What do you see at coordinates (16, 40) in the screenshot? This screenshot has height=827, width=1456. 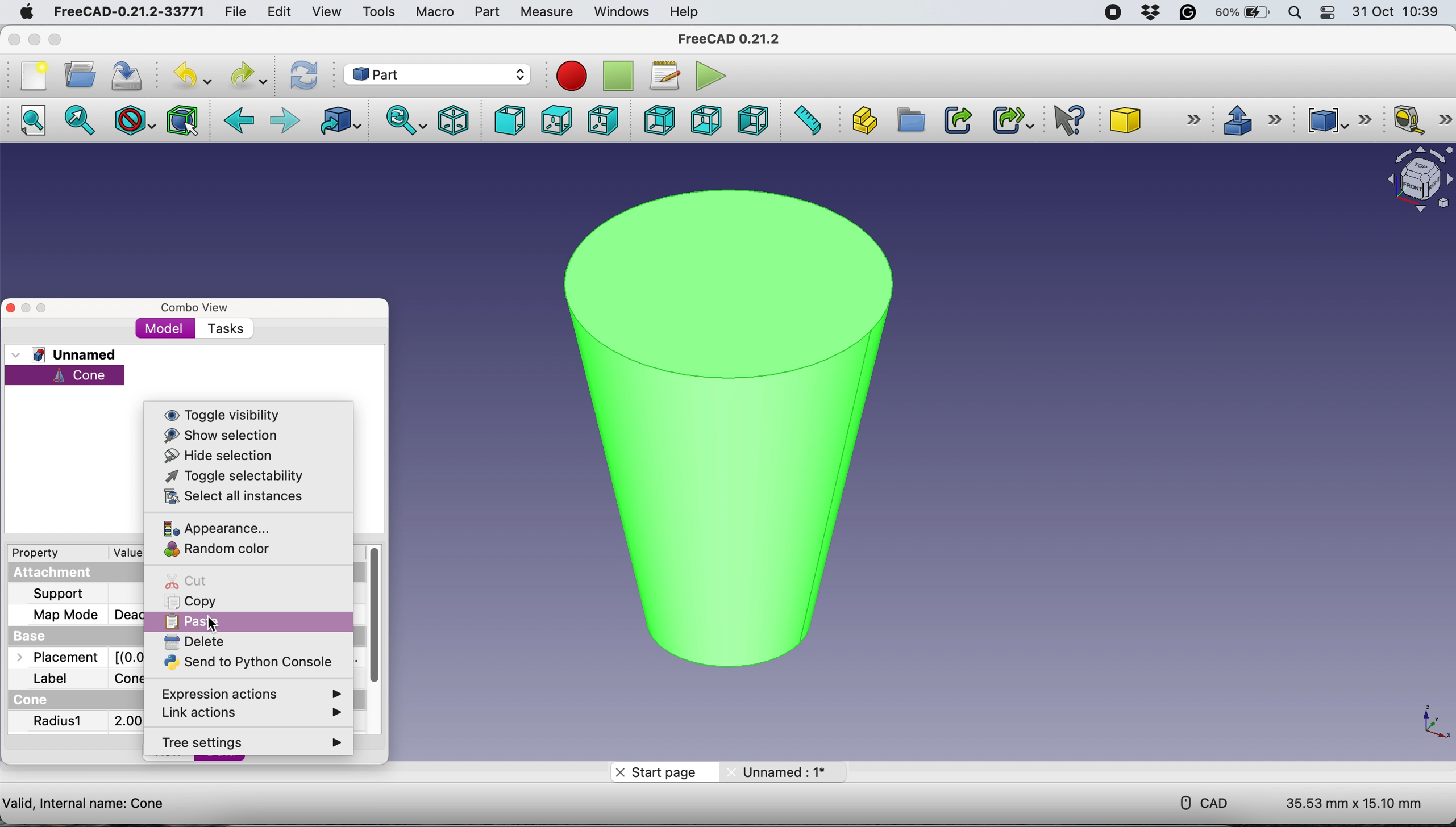 I see `close` at bounding box center [16, 40].